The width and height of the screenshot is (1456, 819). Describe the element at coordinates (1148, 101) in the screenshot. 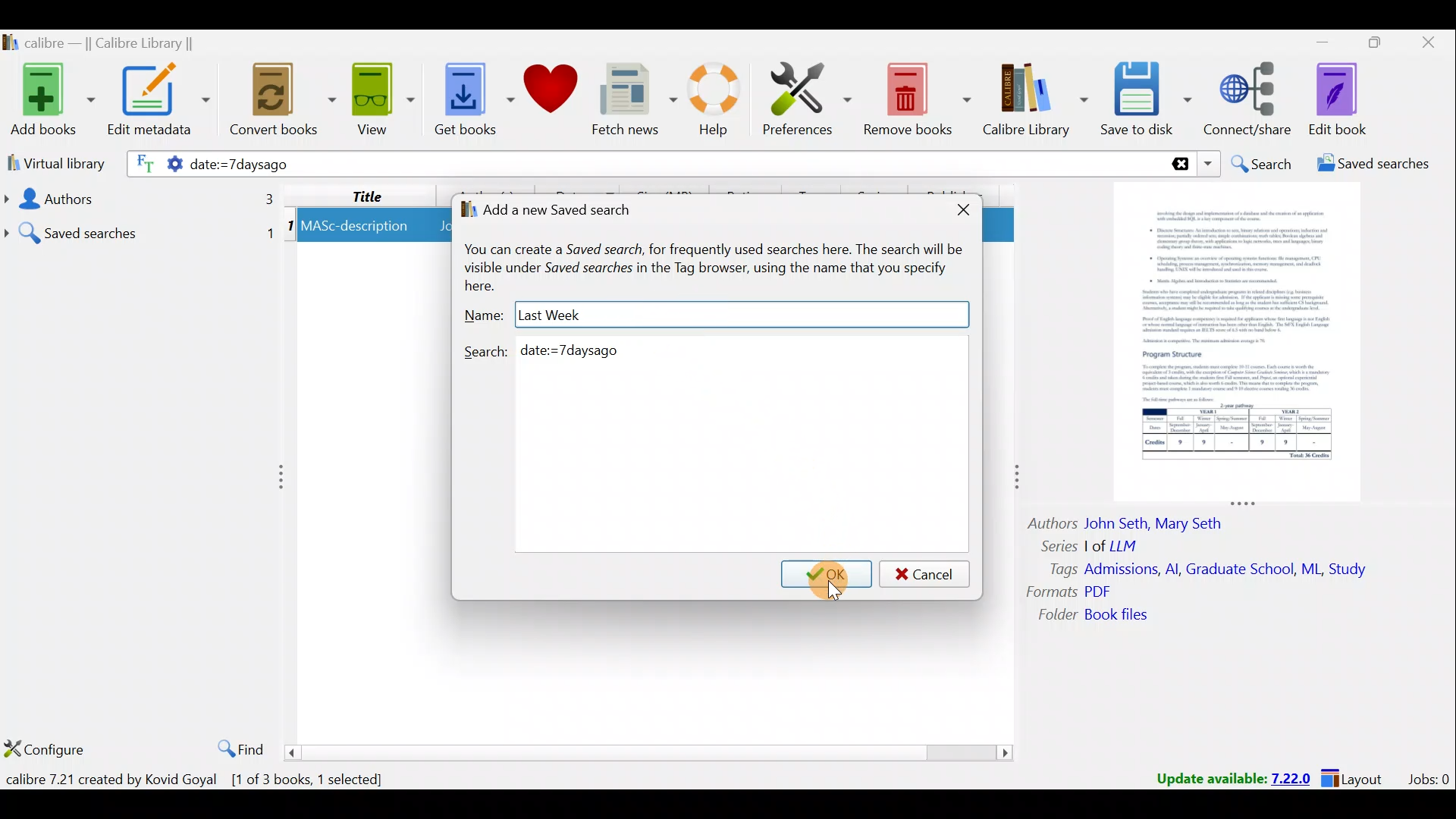

I see `Save to disk` at that location.